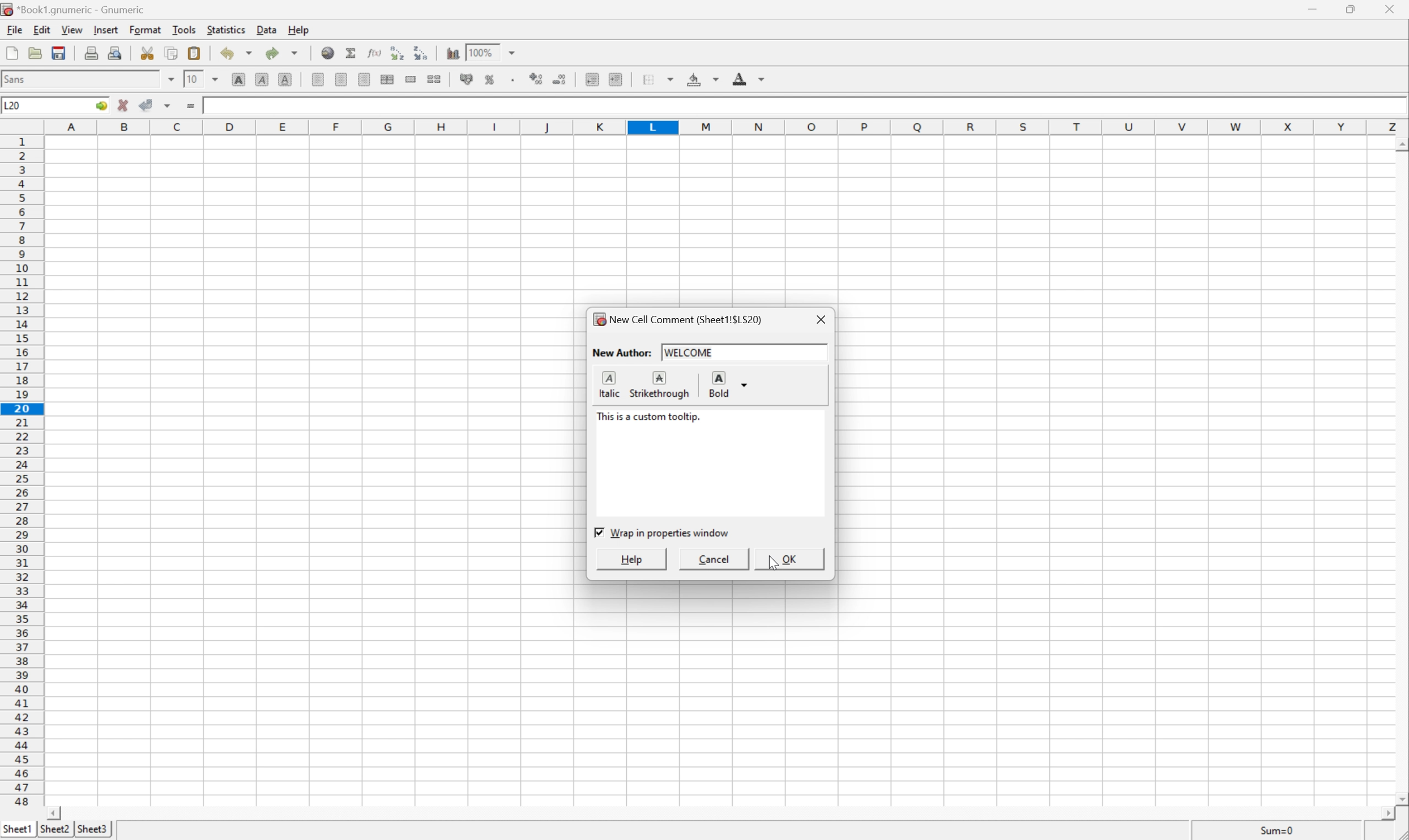 This screenshot has width=1409, height=840. I want to click on Strikethrough, so click(660, 384).